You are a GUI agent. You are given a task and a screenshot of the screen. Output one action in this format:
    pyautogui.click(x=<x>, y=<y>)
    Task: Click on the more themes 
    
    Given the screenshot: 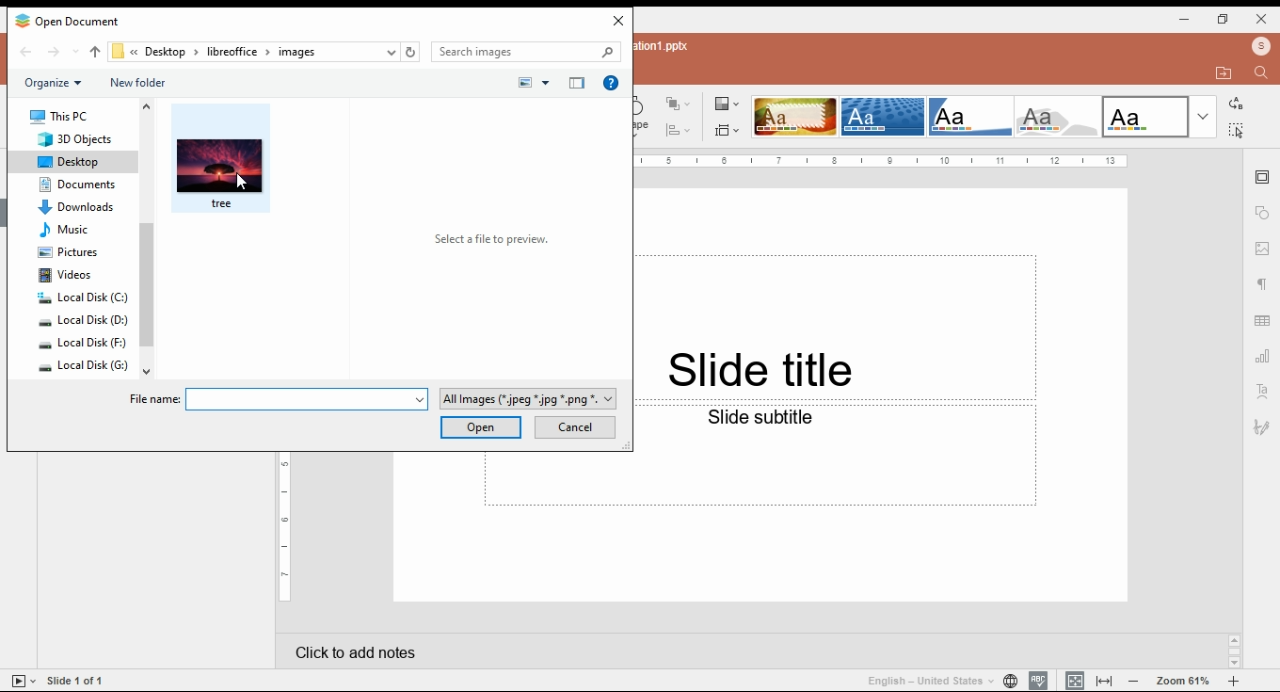 What is the action you would take?
    pyautogui.click(x=1203, y=117)
    